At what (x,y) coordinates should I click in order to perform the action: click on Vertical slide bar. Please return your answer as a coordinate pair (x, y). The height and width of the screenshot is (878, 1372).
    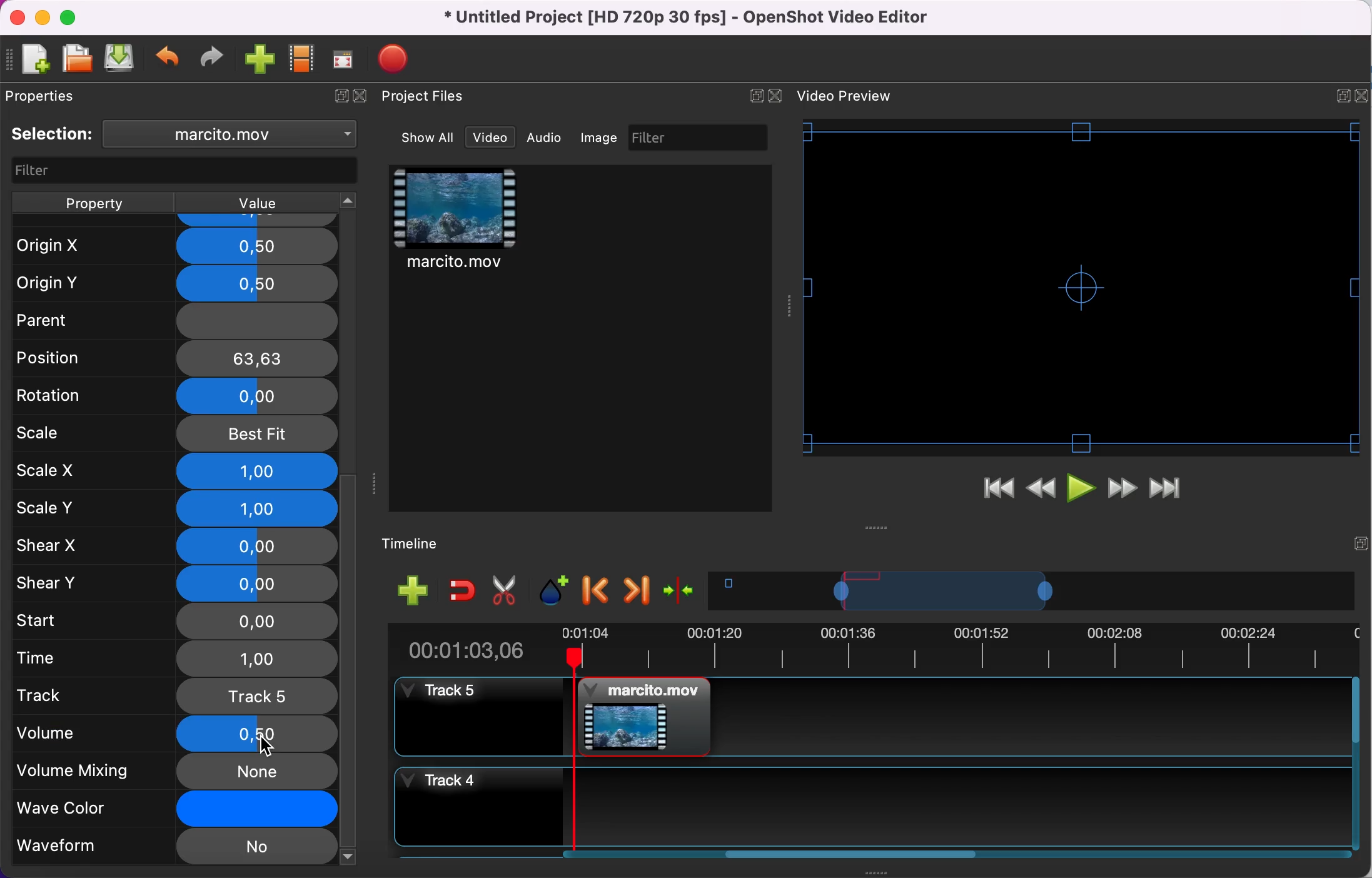
    Looking at the image, I should click on (1356, 763).